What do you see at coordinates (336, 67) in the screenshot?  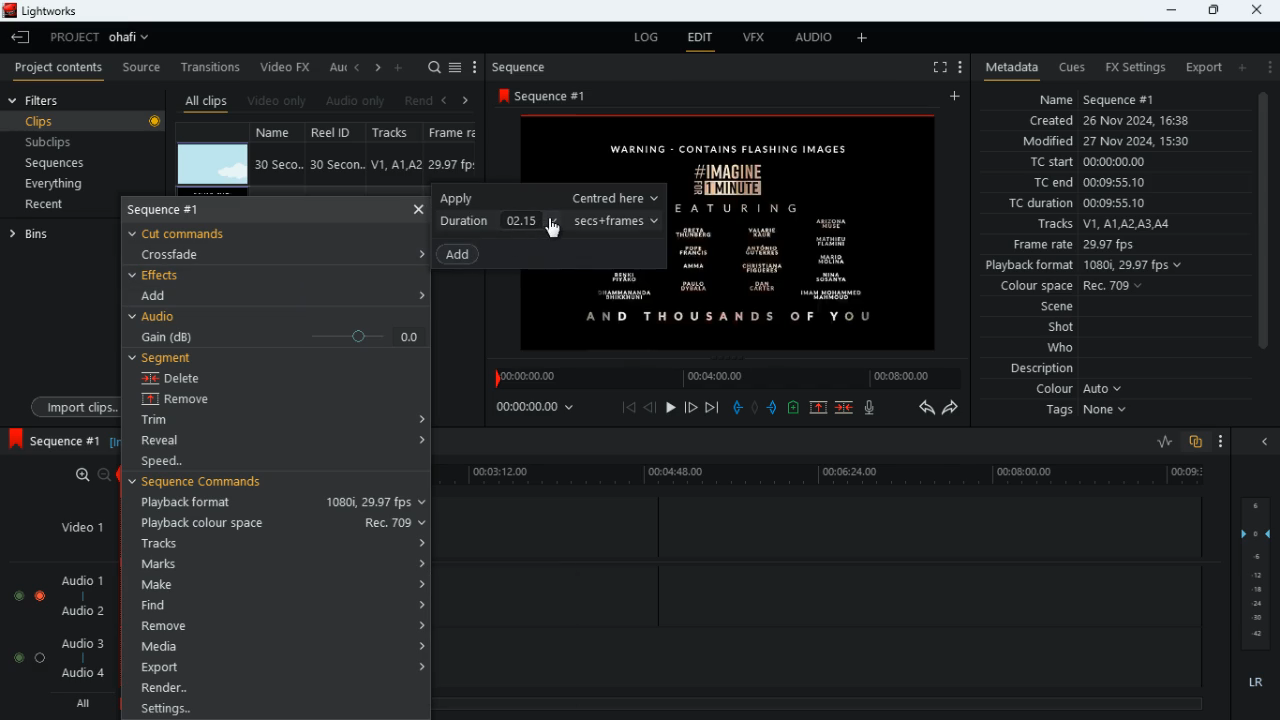 I see `au` at bounding box center [336, 67].